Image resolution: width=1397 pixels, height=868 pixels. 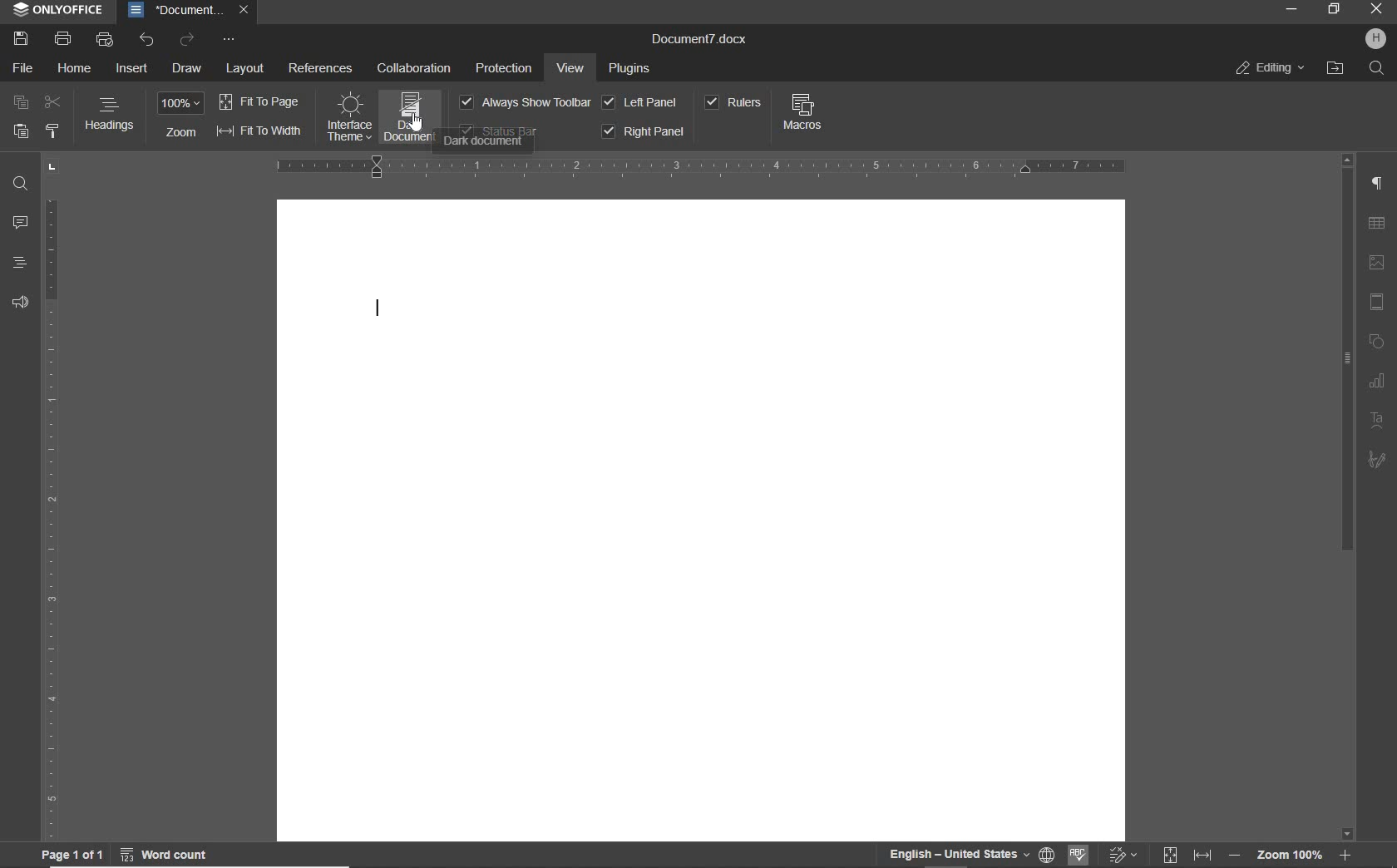 I want to click on HEADINGS, so click(x=19, y=263).